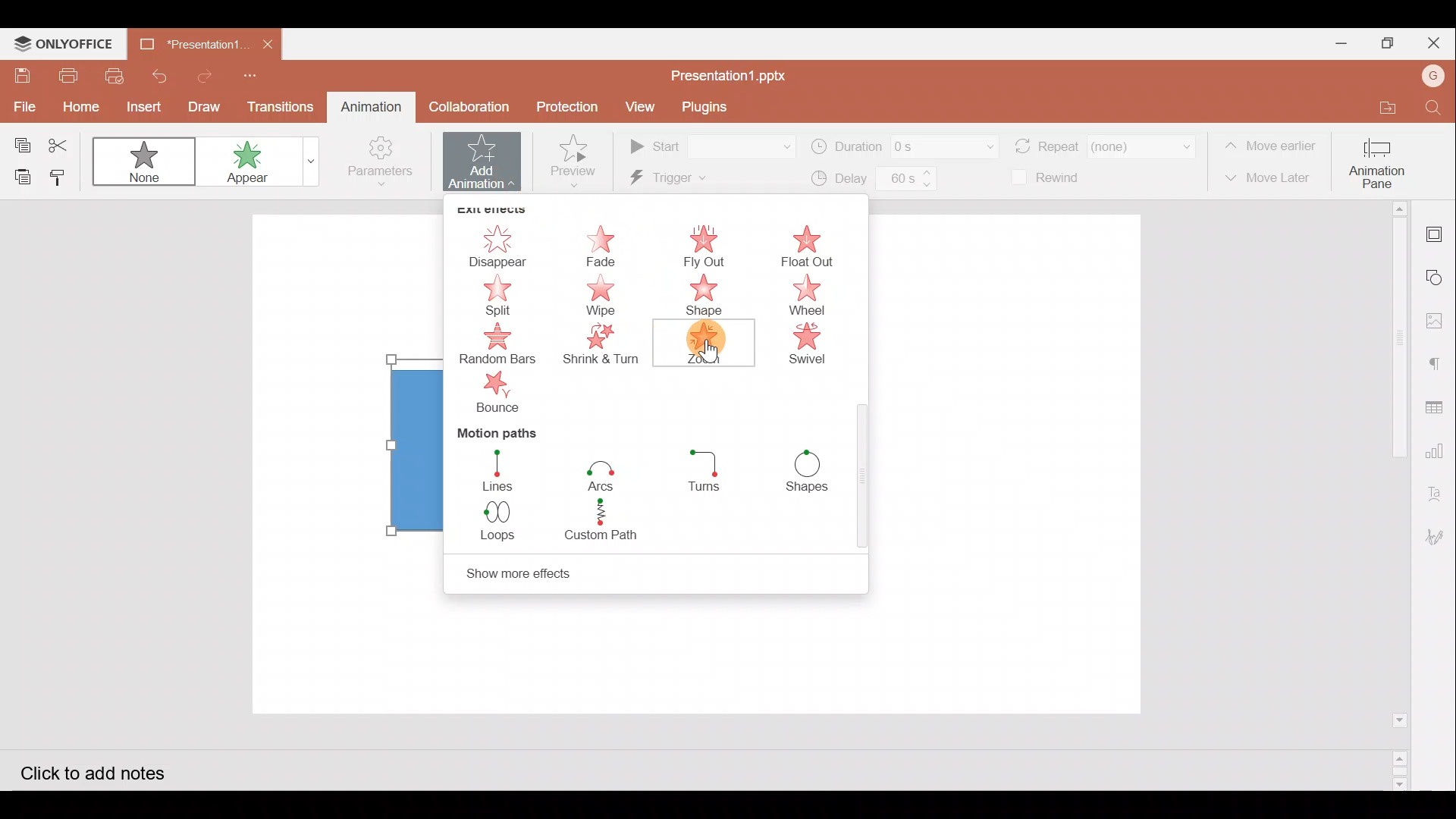  Describe the element at coordinates (140, 106) in the screenshot. I see `Insert` at that location.